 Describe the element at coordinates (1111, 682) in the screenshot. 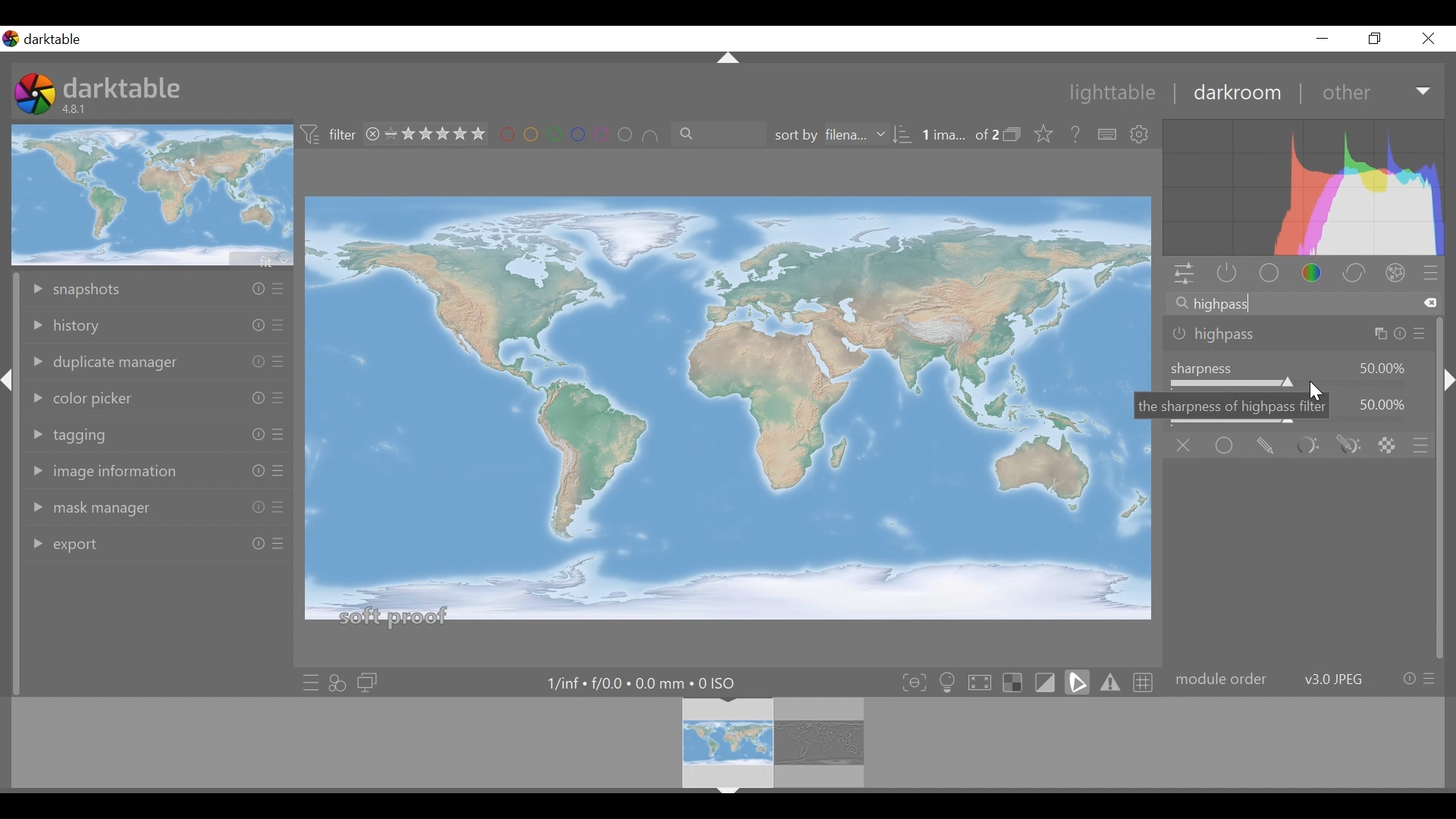

I see `toggle gamut checking` at that location.